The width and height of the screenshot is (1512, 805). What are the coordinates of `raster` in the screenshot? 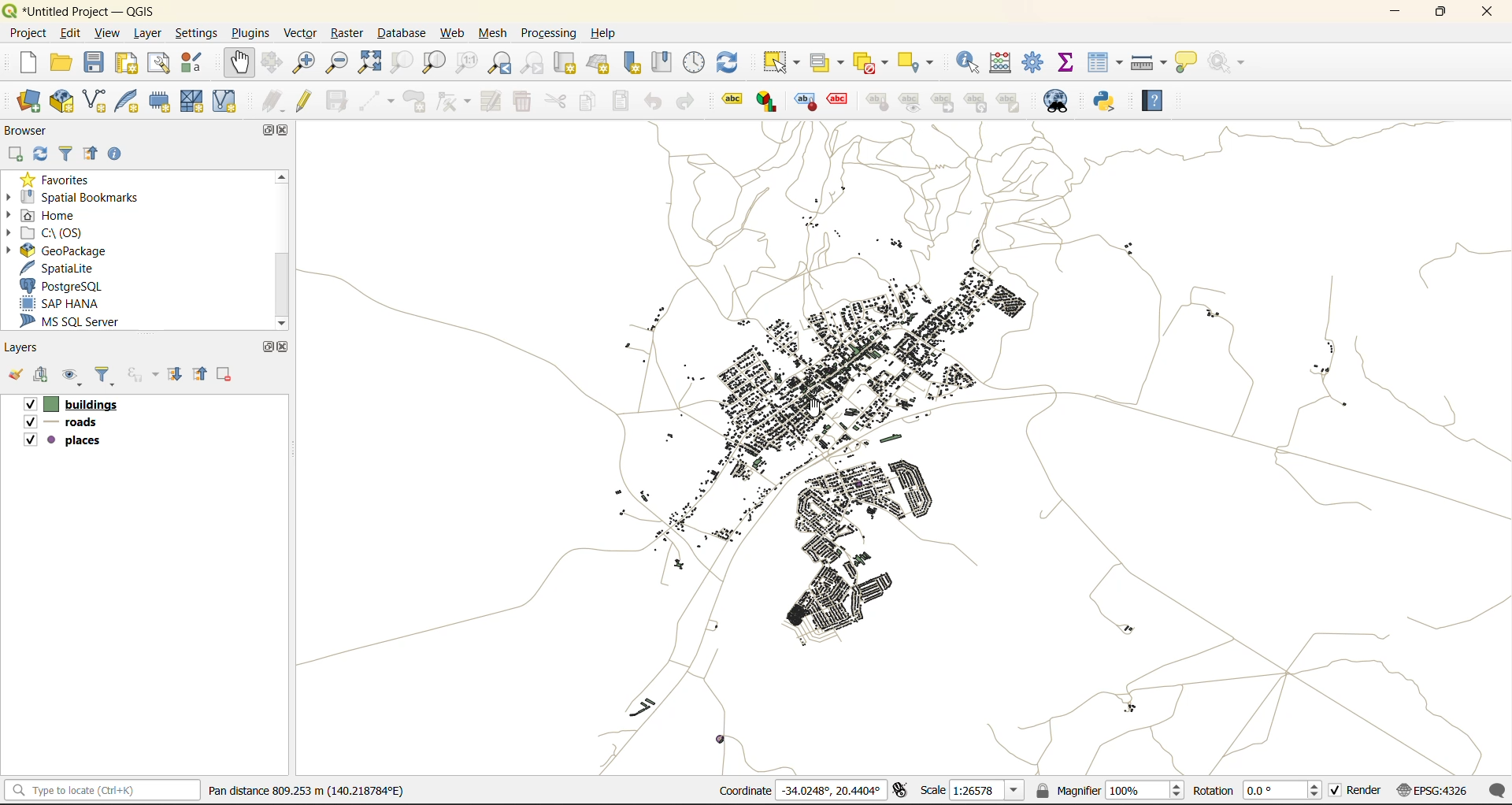 It's located at (347, 33).